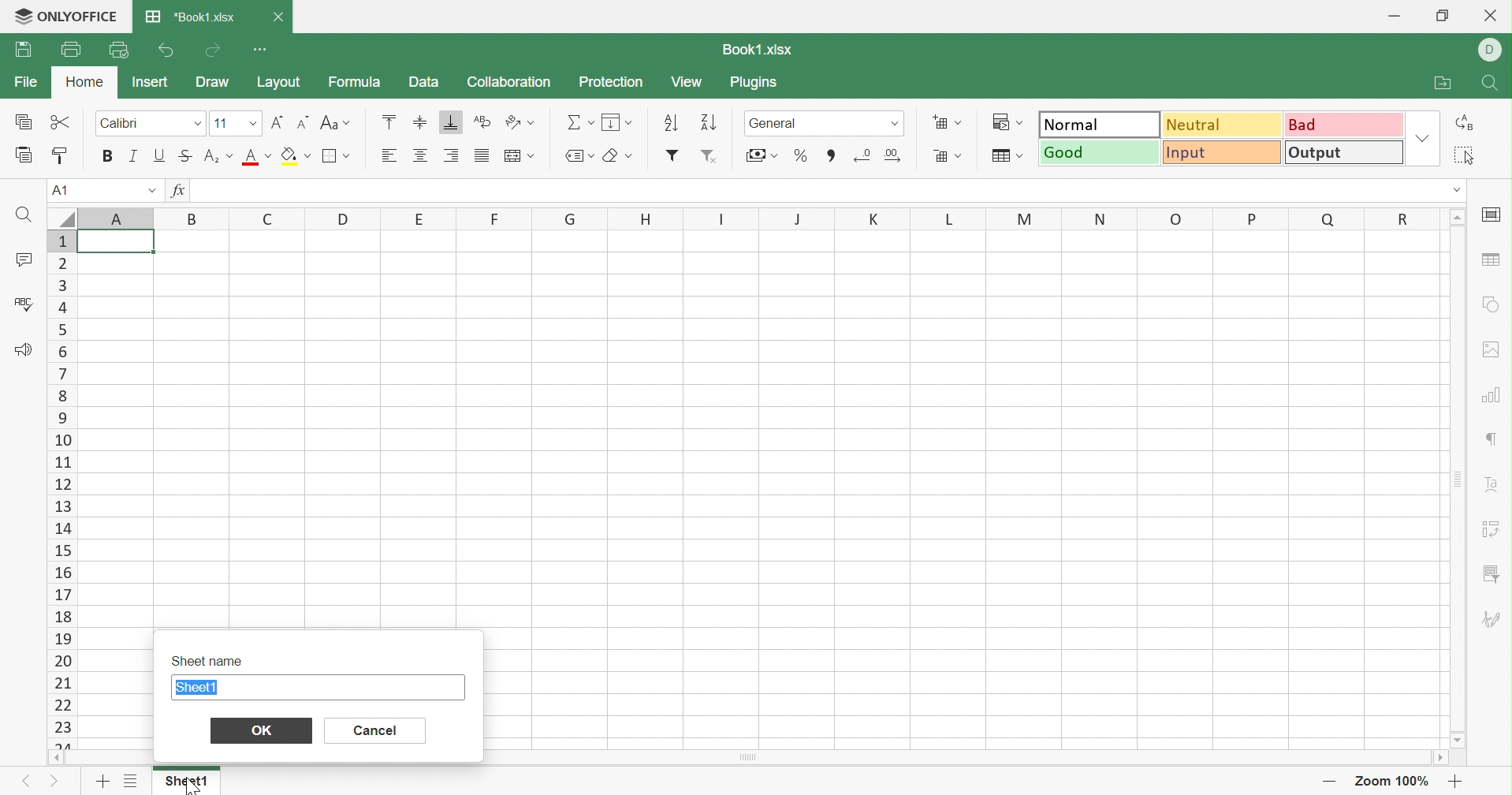 The width and height of the screenshot is (1512, 795). I want to click on Quick Print, so click(118, 52).